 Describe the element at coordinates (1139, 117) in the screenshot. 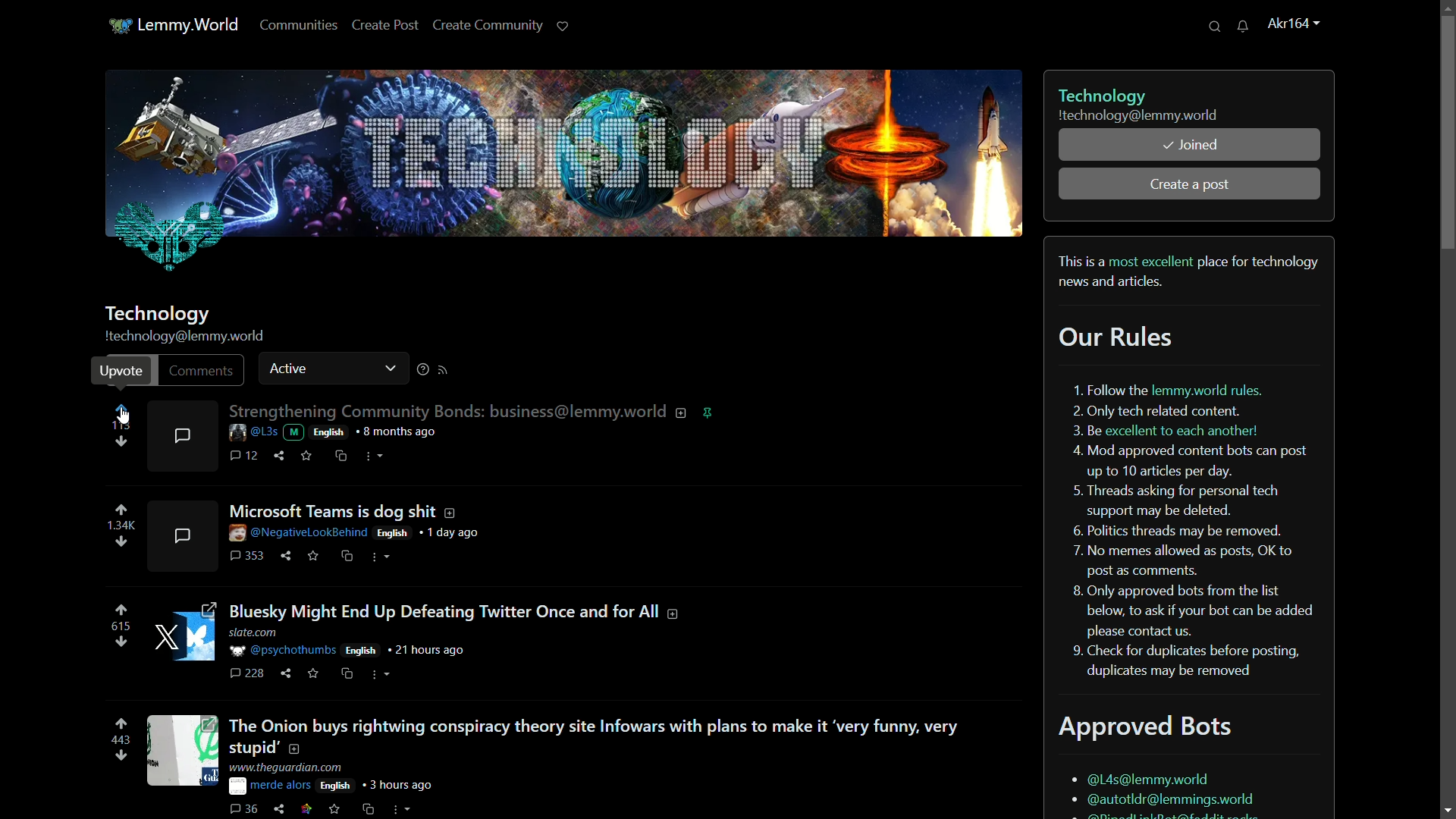

I see `community username` at that location.